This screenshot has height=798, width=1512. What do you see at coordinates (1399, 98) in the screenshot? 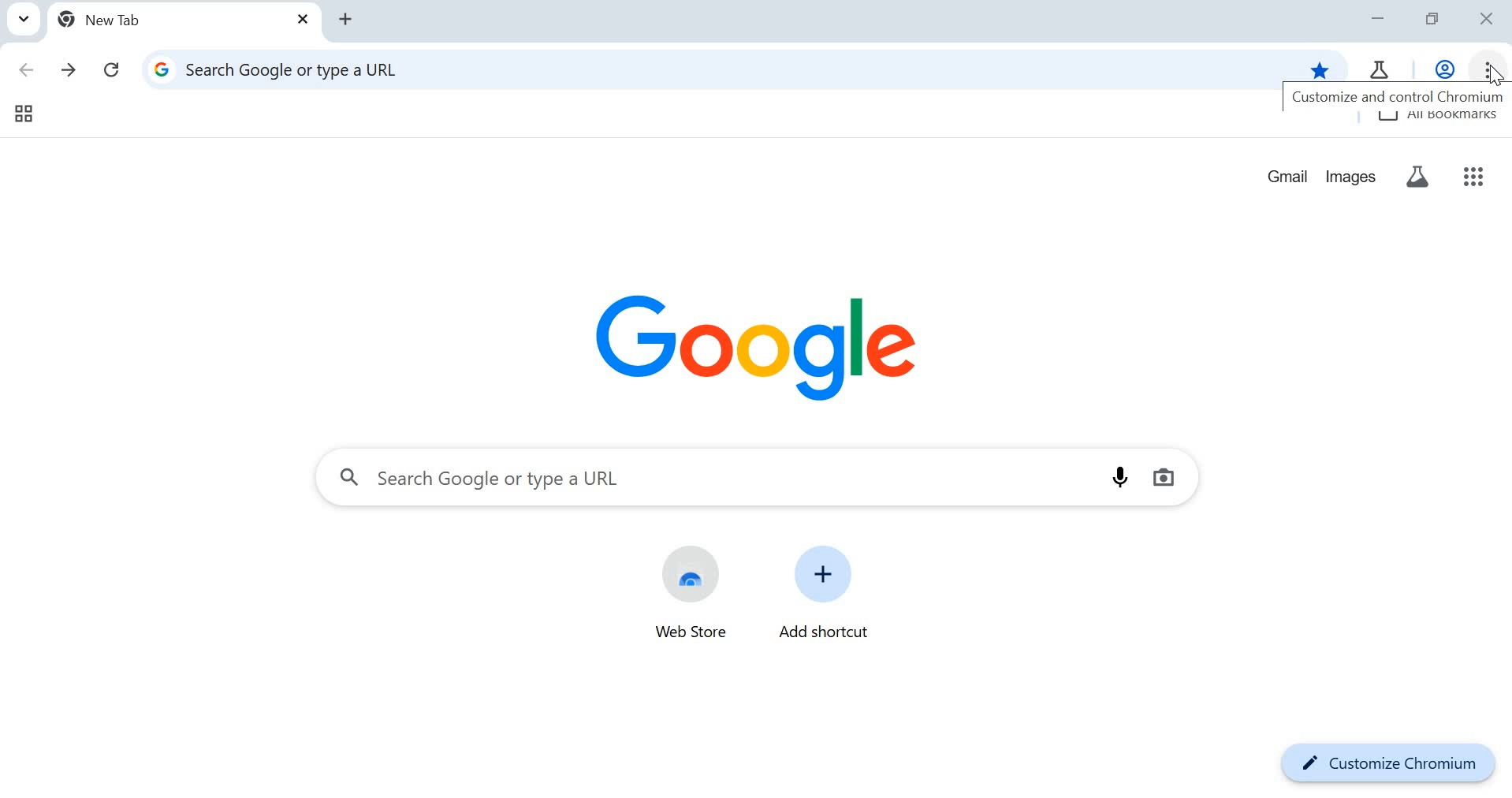
I see `customize and control chromium` at bounding box center [1399, 98].